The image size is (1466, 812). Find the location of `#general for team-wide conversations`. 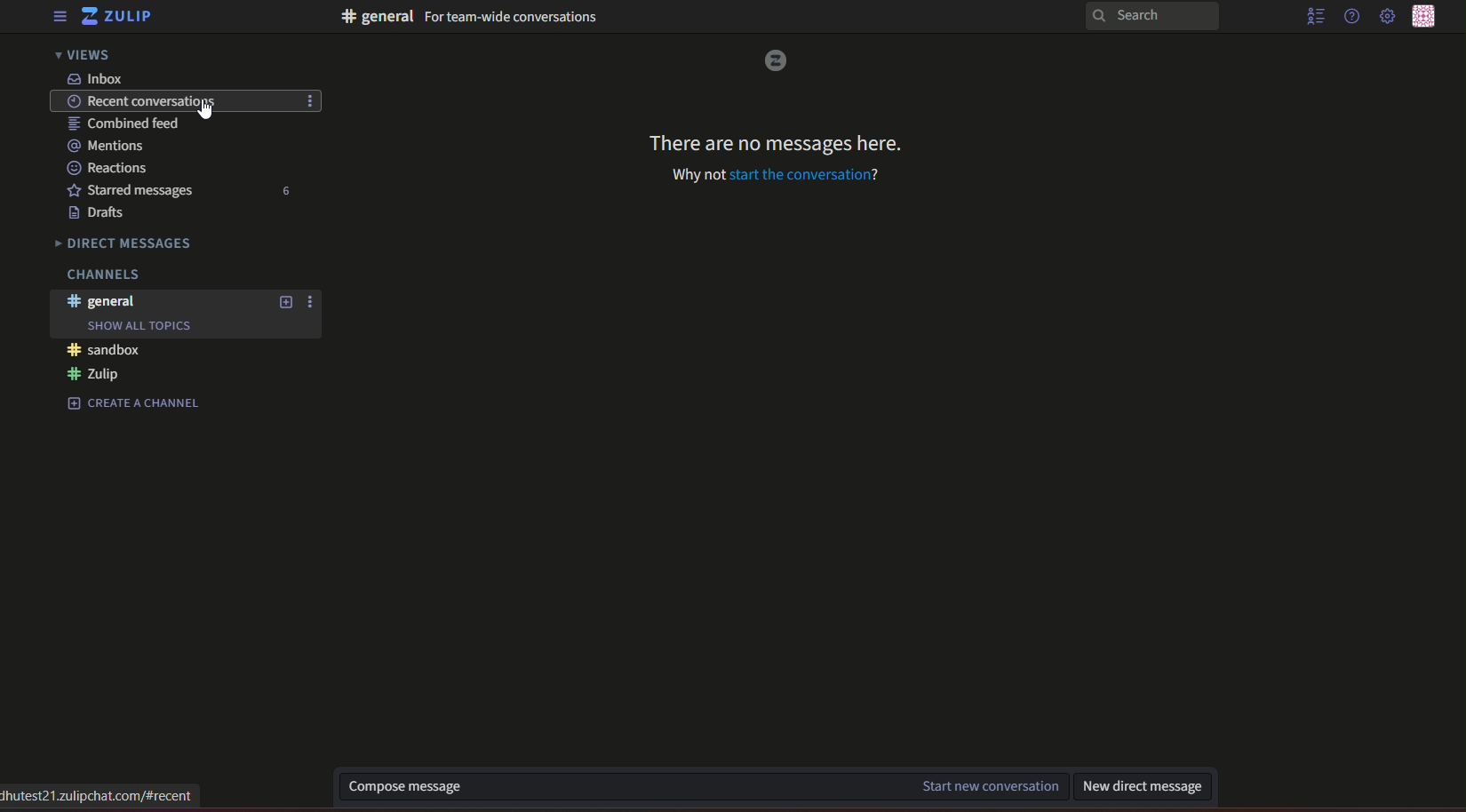

#general for team-wide conversations is located at coordinates (472, 18).